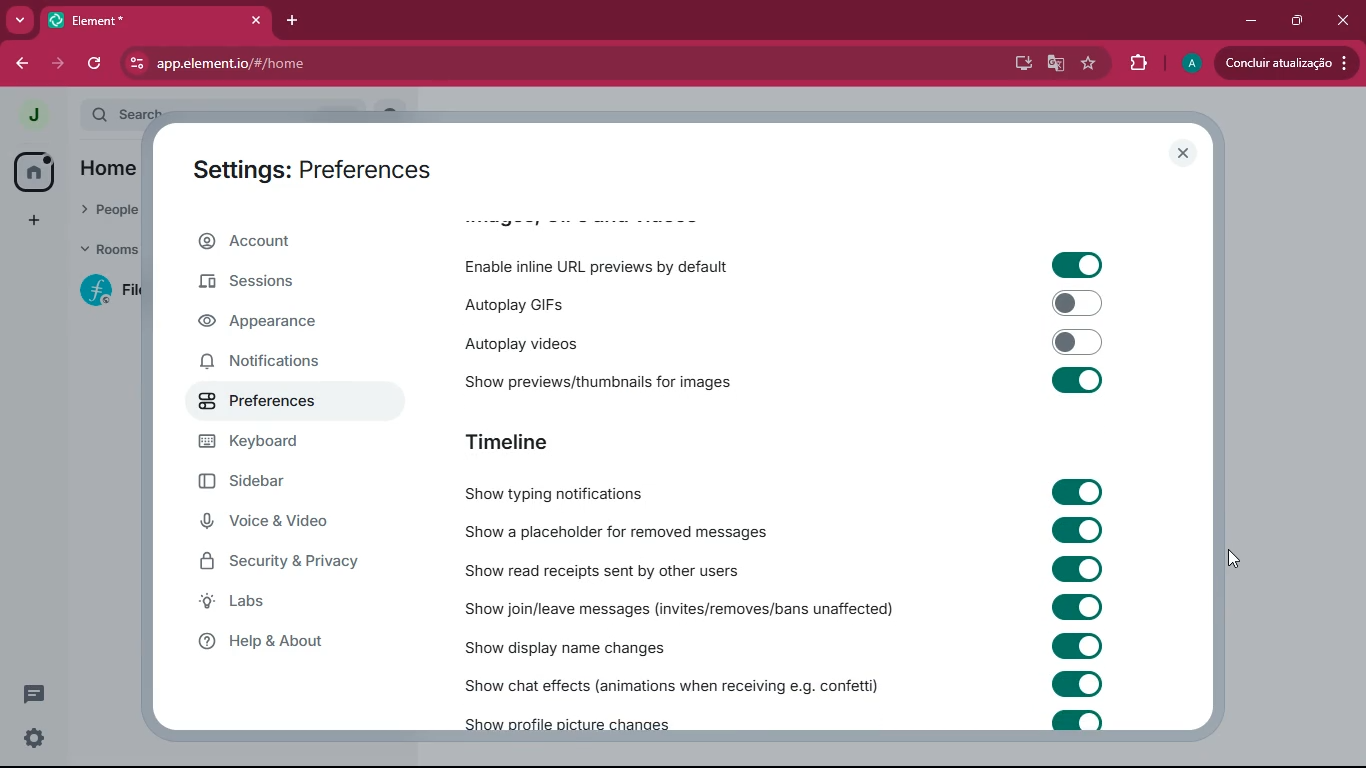  Describe the element at coordinates (568, 645) in the screenshot. I see `show display name changes` at that location.